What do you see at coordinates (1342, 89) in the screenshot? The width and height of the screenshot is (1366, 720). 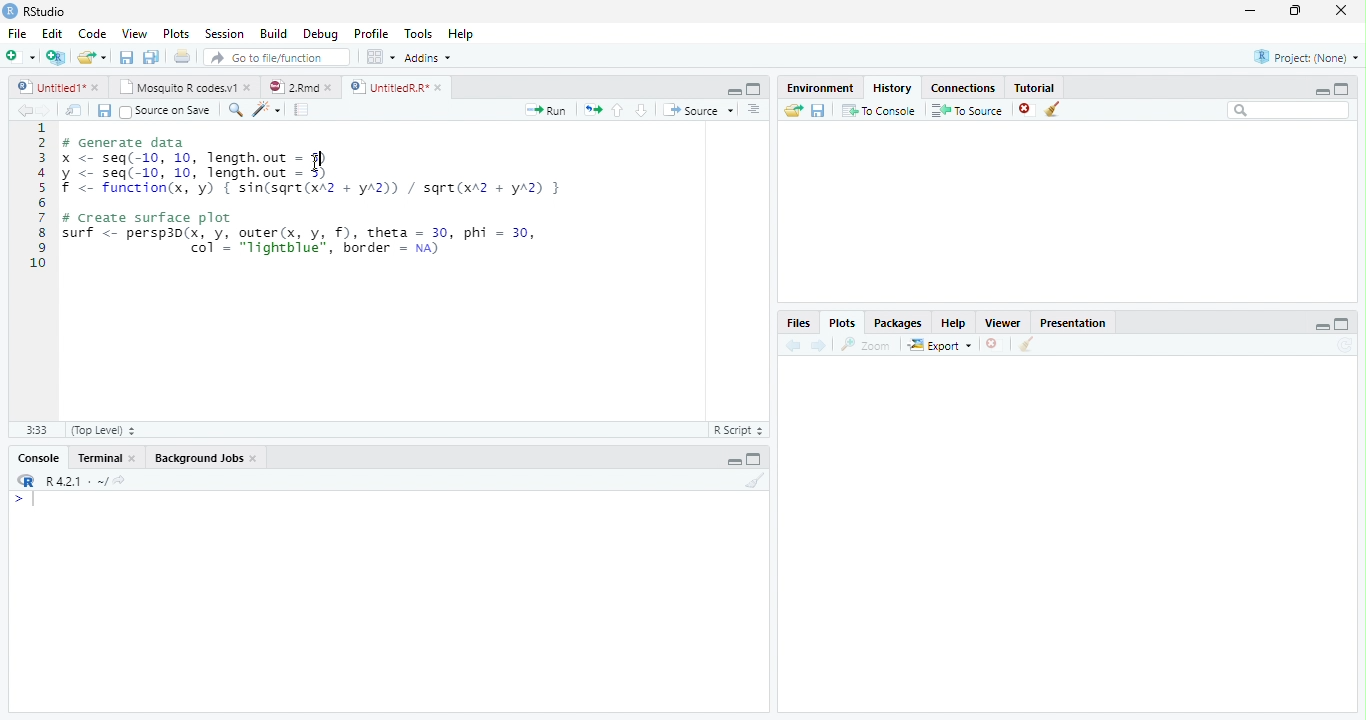 I see `maximize` at bounding box center [1342, 89].